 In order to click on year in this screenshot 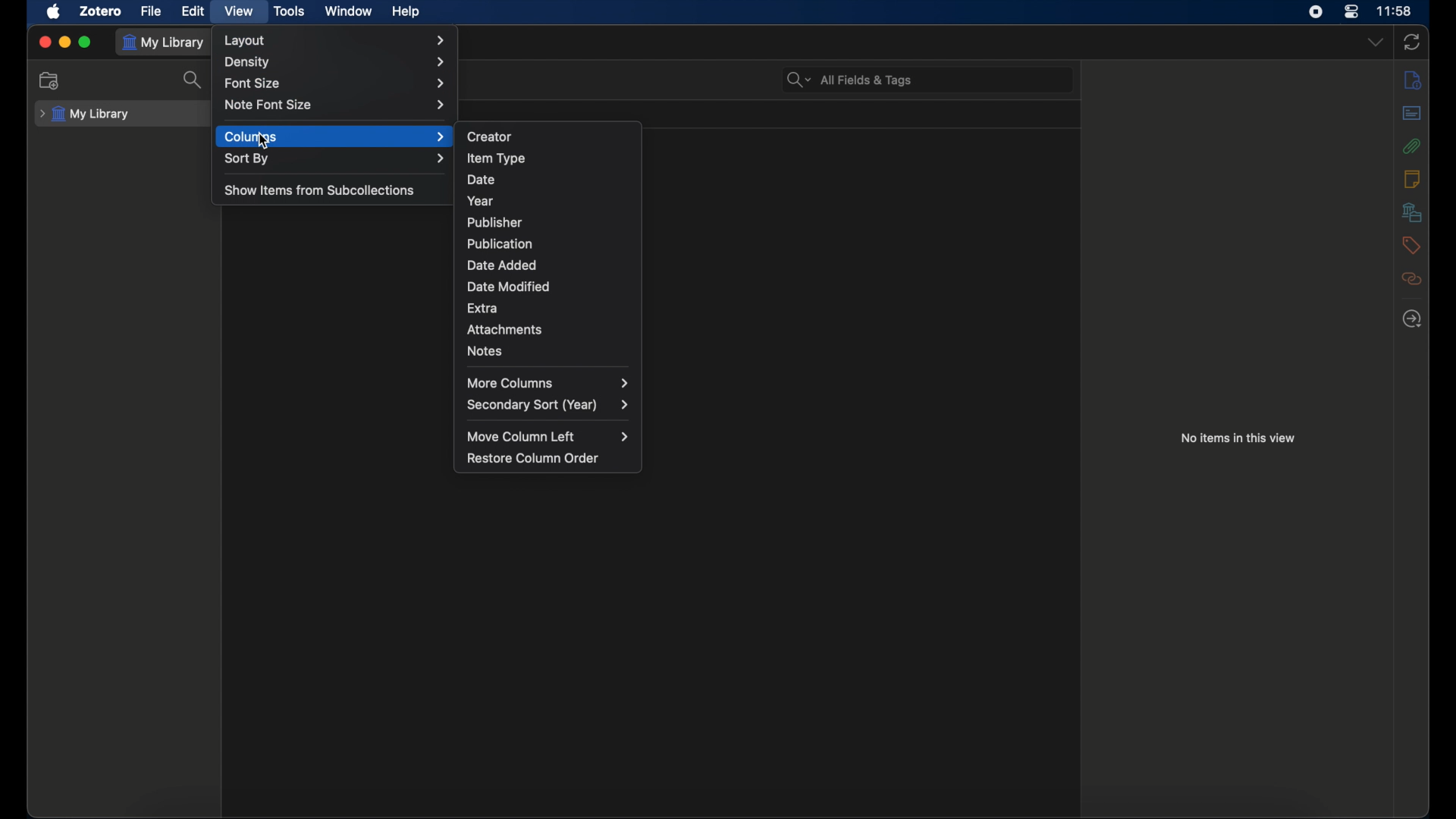, I will do `click(479, 201)`.